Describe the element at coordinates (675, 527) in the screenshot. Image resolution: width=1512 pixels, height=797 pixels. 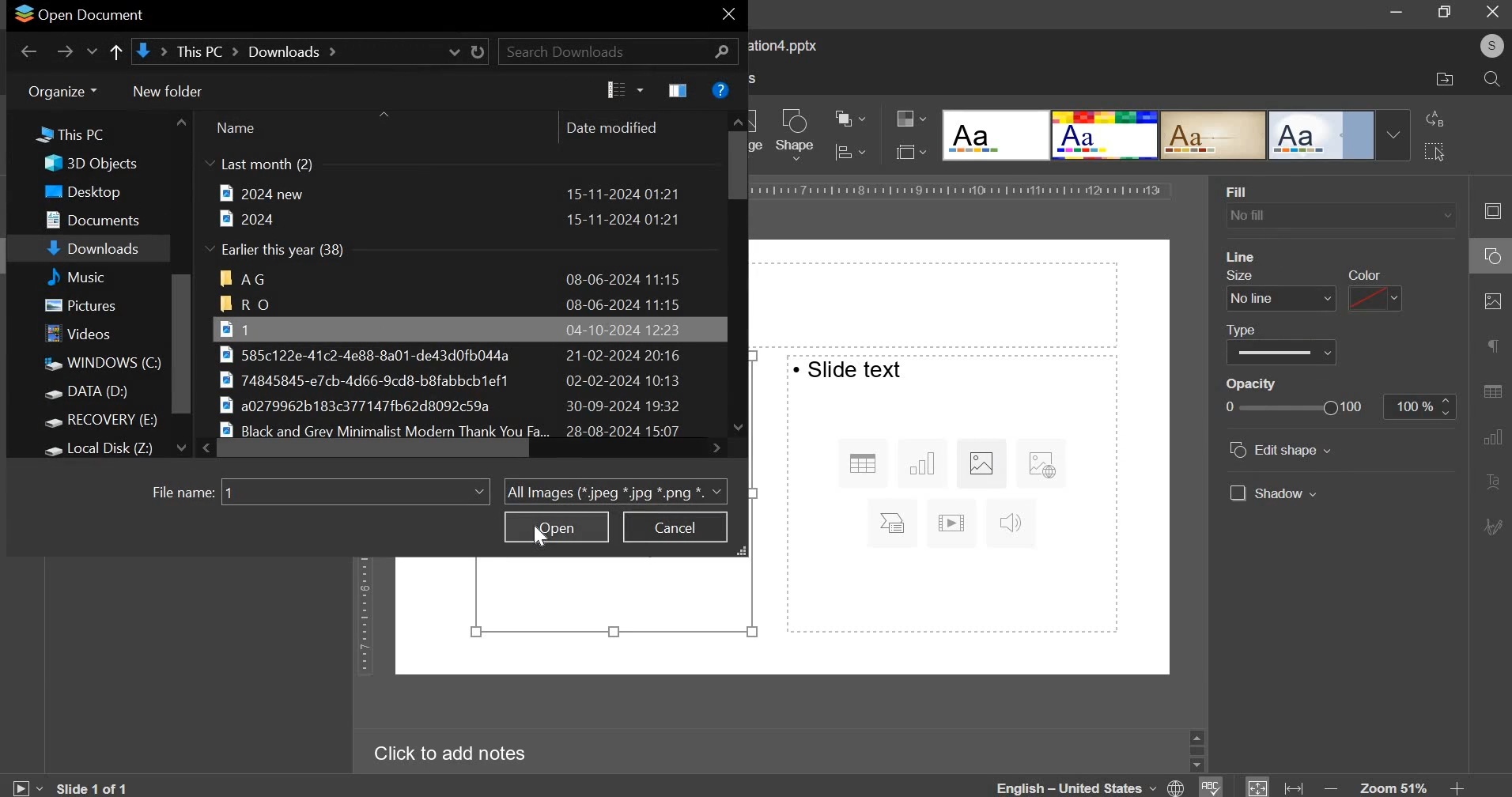
I see `cancel` at that location.